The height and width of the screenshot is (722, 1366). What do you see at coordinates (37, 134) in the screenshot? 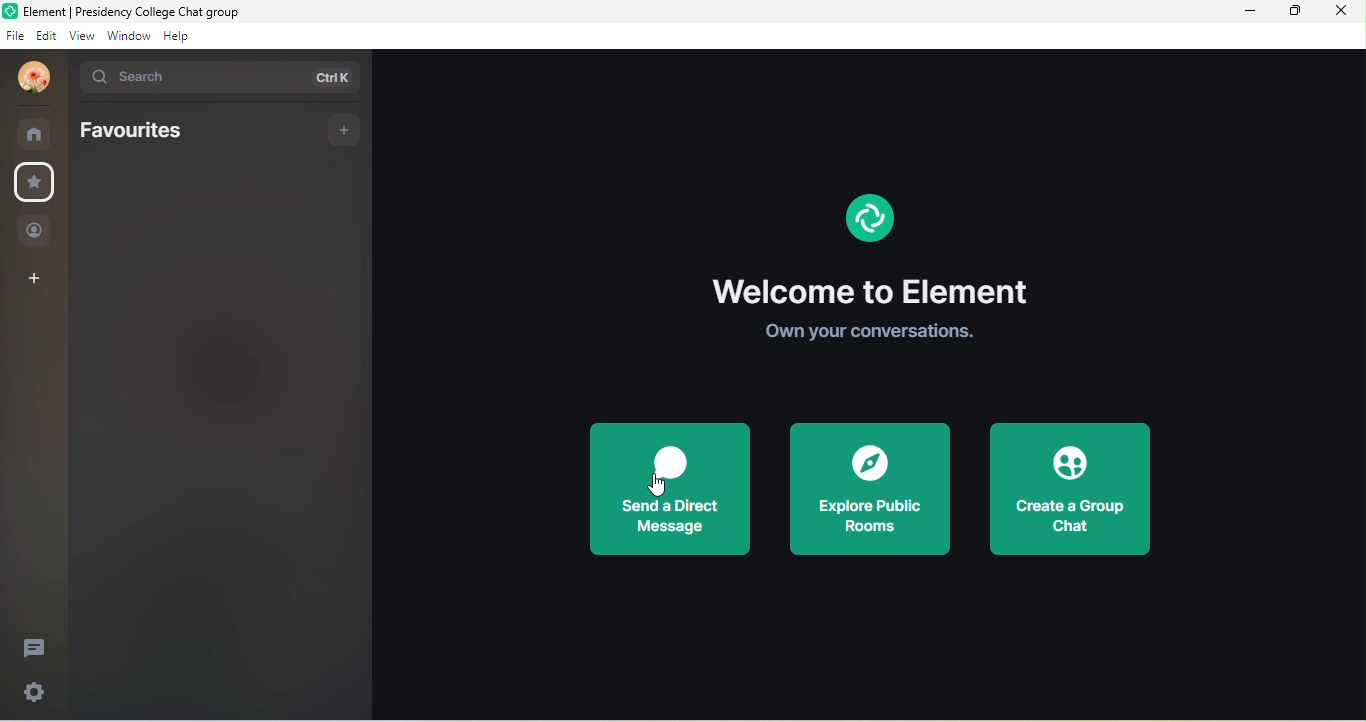
I see `rooms` at bounding box center [37, 134].